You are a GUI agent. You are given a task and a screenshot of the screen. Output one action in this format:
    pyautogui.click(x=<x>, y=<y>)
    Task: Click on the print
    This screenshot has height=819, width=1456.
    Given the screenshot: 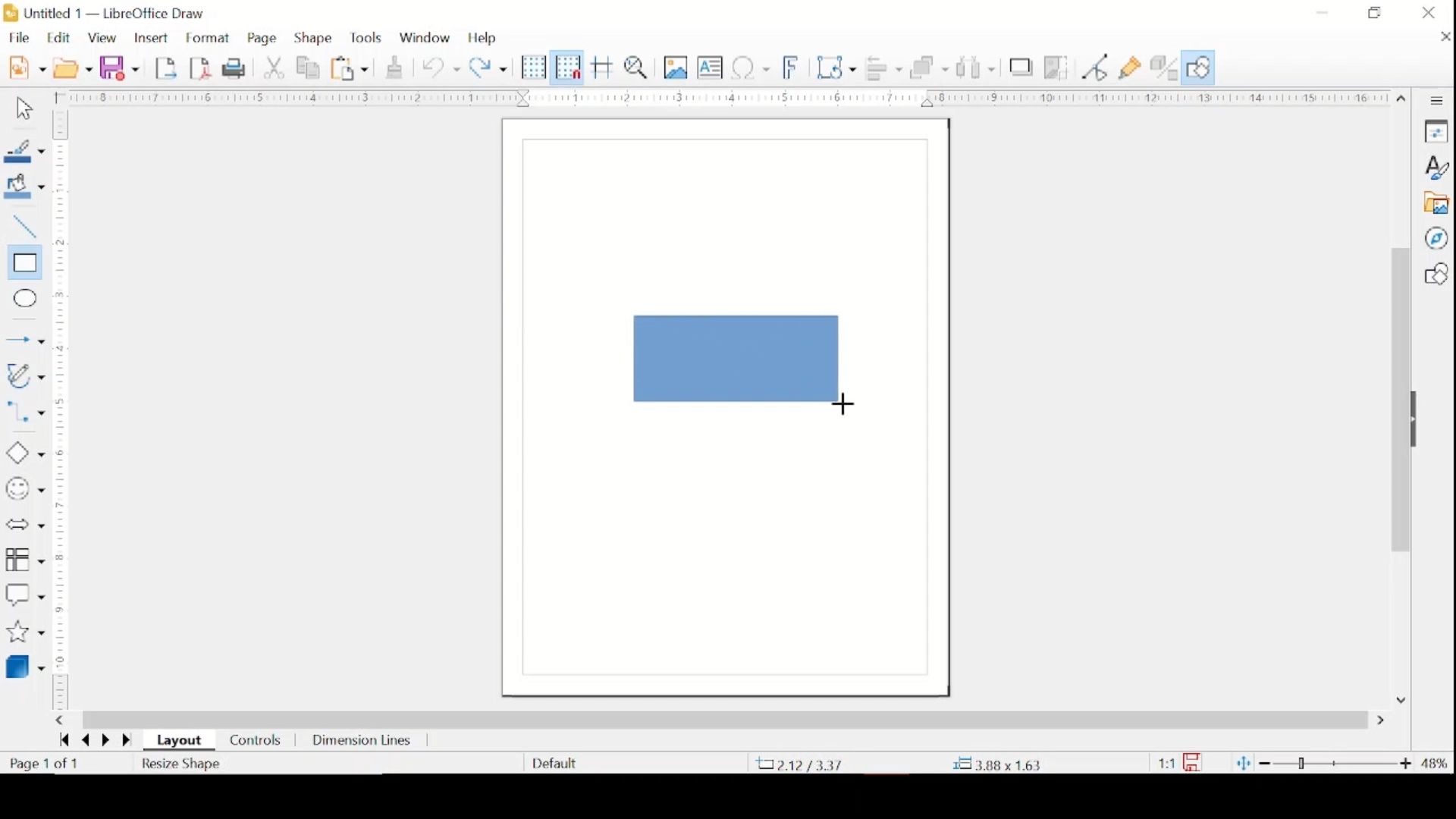 What is the action you would take?
    pyautogui.click(x=237, y=67)
    